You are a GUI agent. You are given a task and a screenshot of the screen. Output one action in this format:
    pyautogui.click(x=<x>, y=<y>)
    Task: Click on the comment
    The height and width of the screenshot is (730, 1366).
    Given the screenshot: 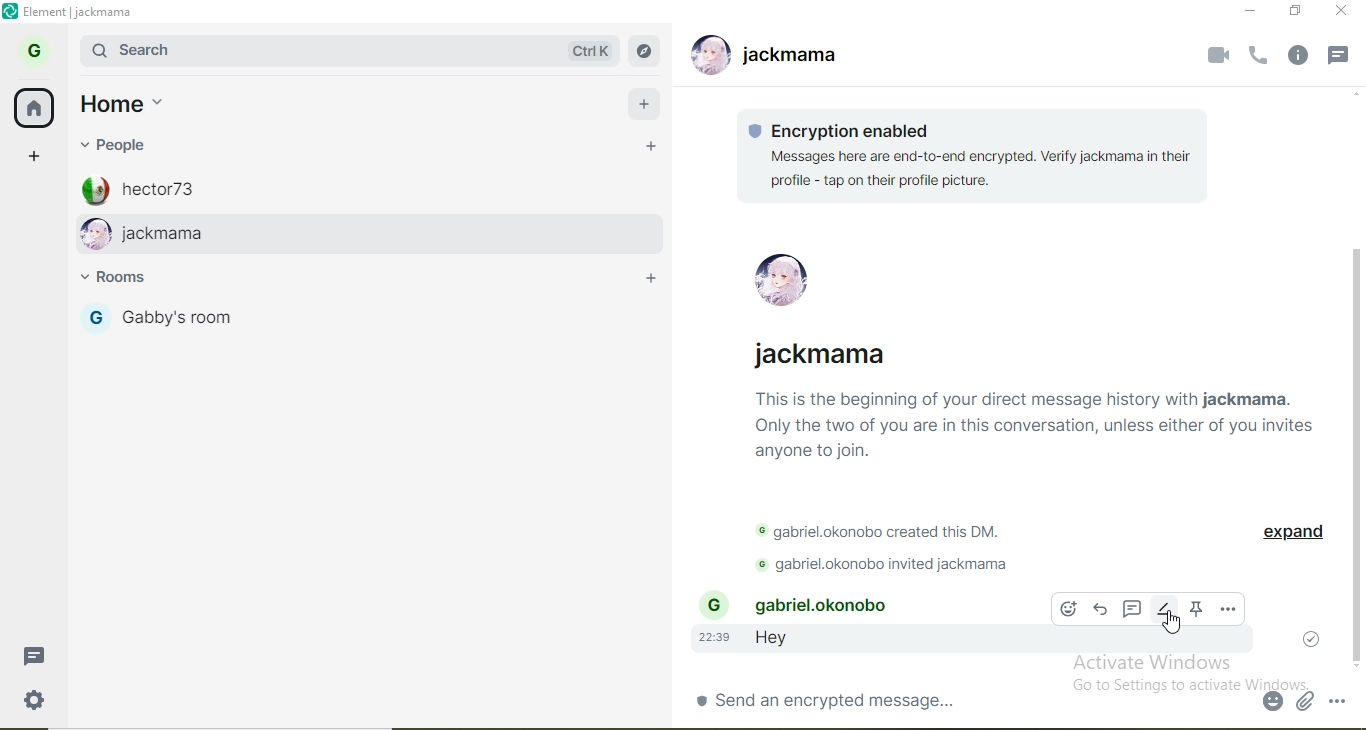 What is the action you would take?
    pyautogui.click(x=1131, y=610)
    